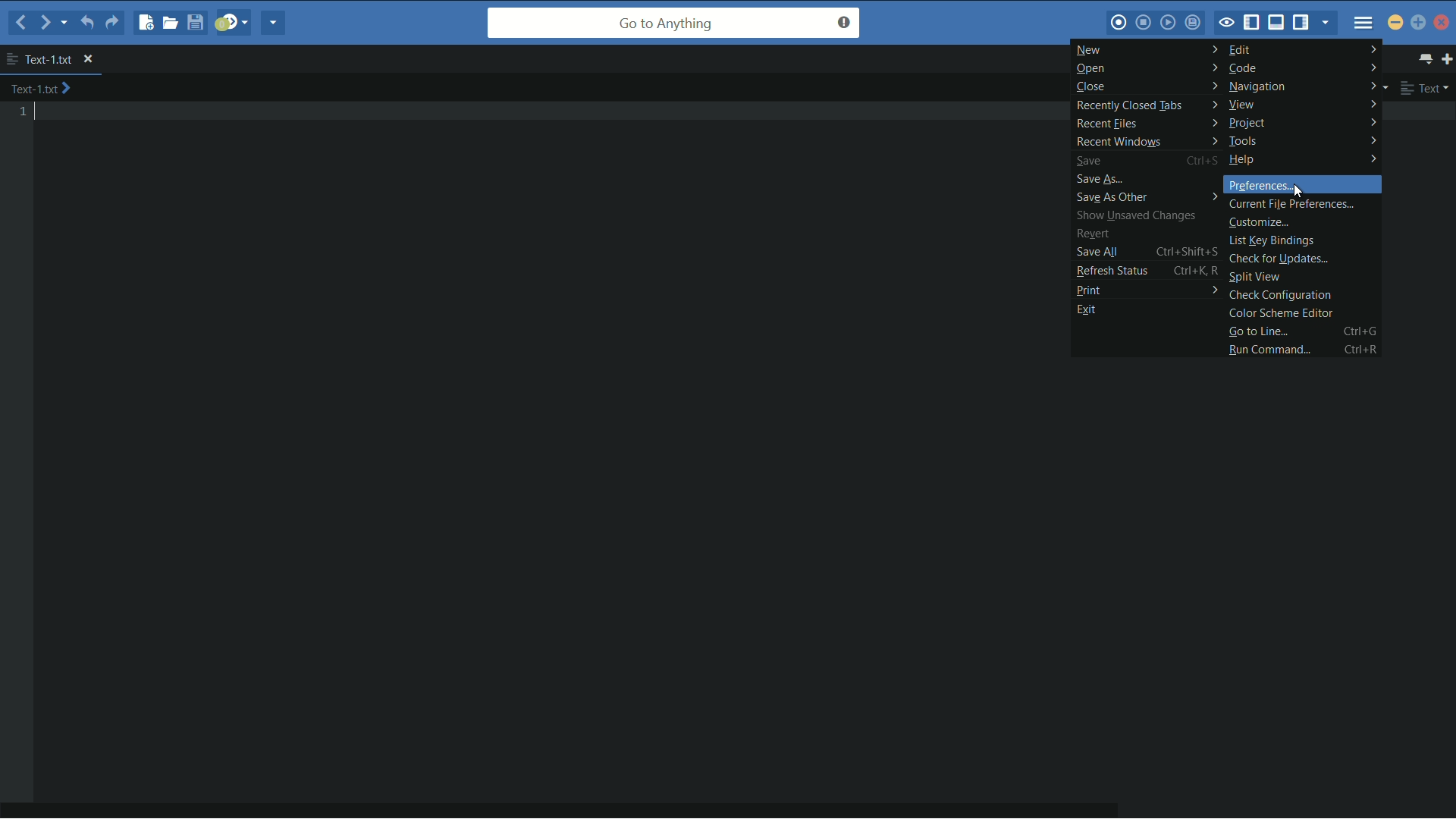 This screenshot has width=1456, height=819. What do you see at coordinates (1188, 250) in the screenshot?
I see `ctrl+Shift+S` at bounding box center [1188, 250].